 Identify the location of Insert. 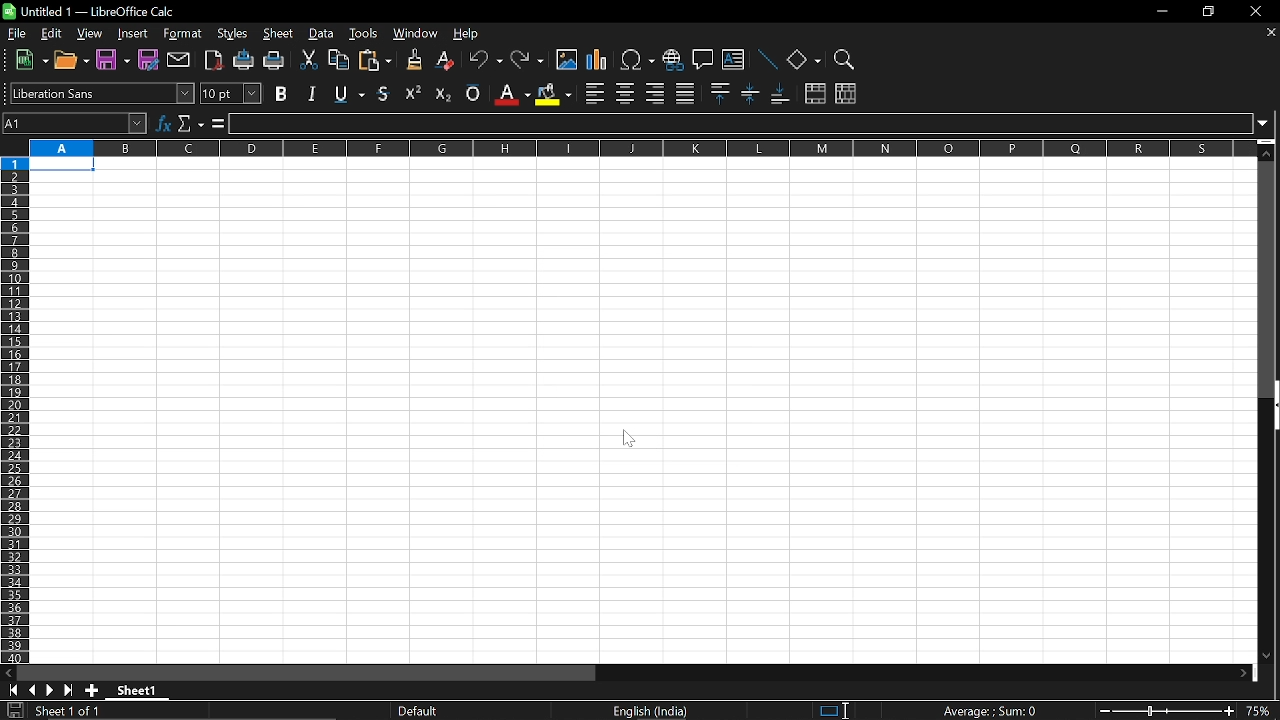
(133, 35).